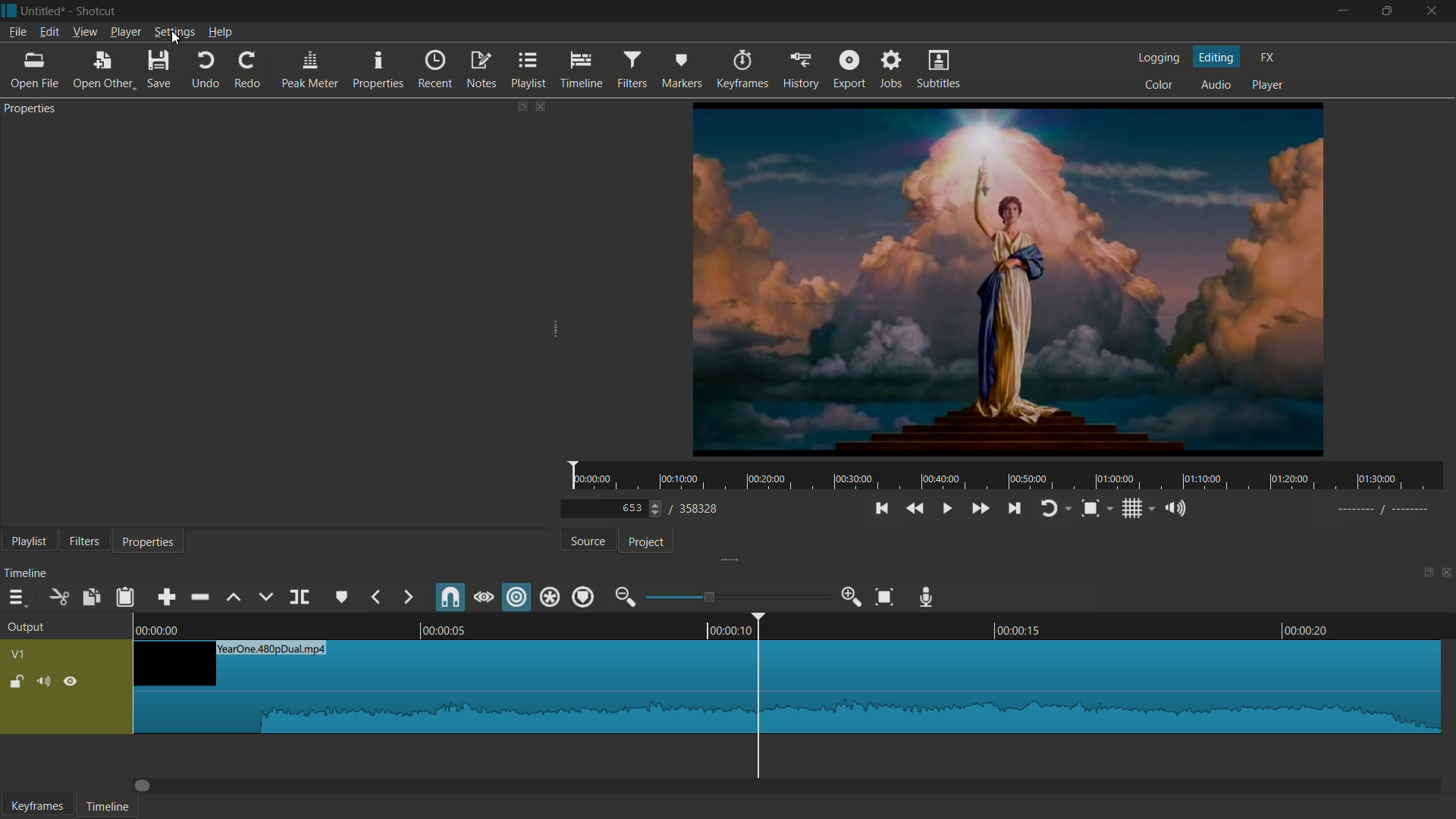 This screenshot has width=1456, height=819. I want to click on video in timeline, so click(790, 689).